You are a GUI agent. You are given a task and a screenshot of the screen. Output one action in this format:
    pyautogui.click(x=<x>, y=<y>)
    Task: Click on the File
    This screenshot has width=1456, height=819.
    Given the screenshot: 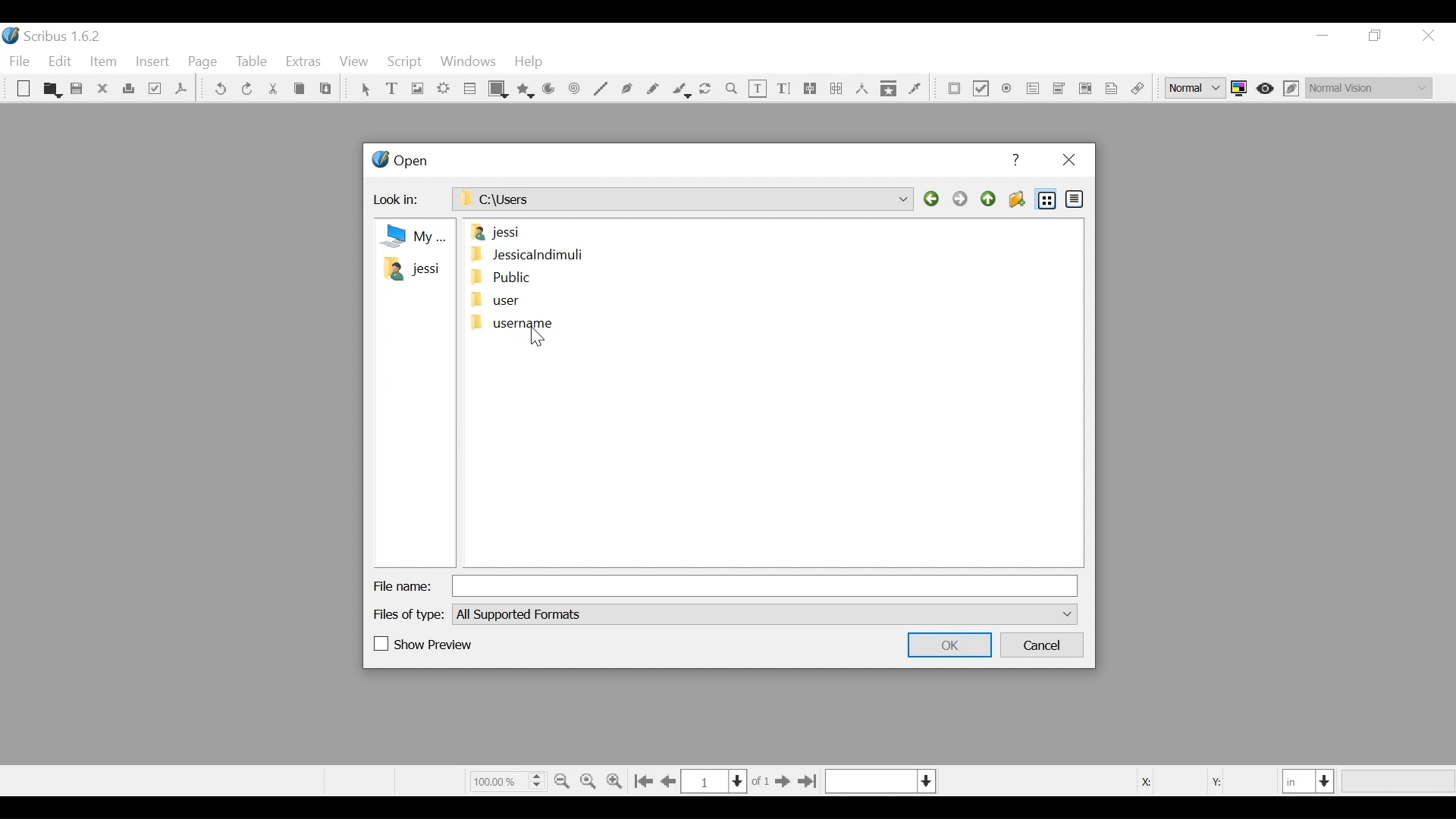 What is the action you would take?
    pyautogui.click(x=22, y=61)
    